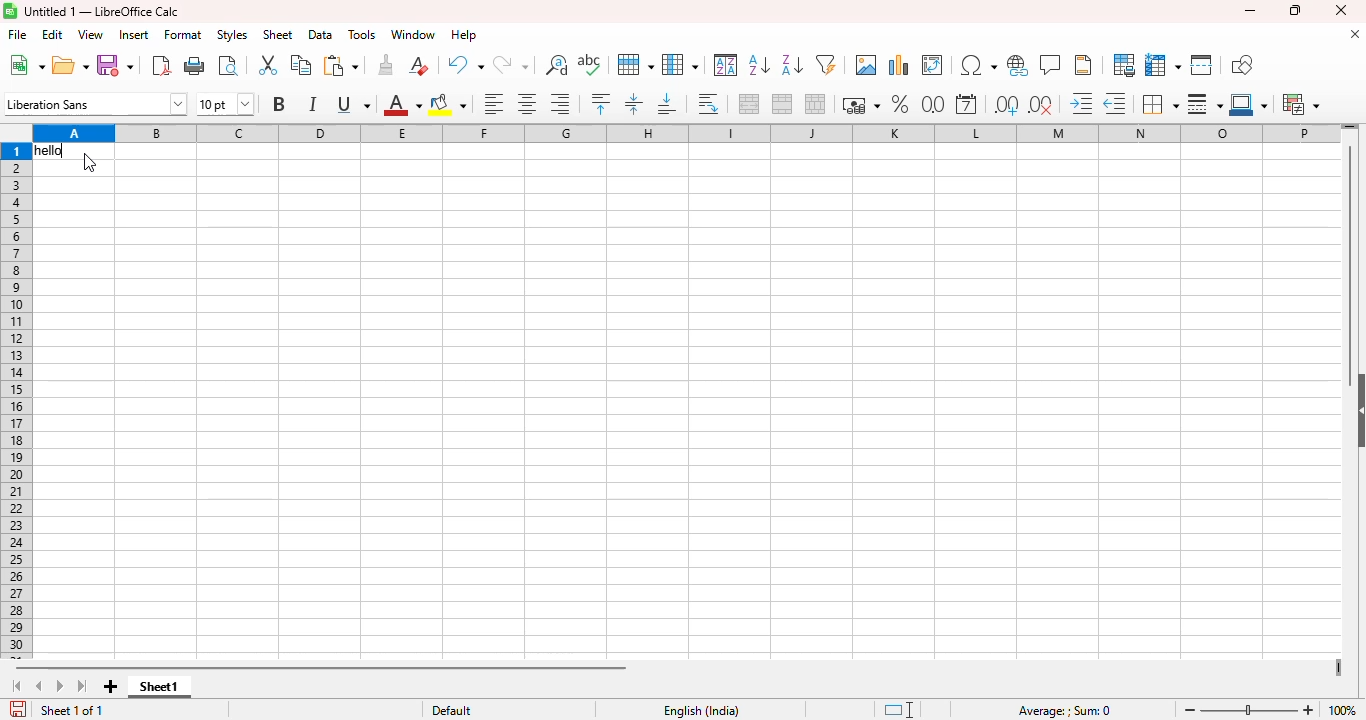  I want to click on increase indent, so click(1081, 103).